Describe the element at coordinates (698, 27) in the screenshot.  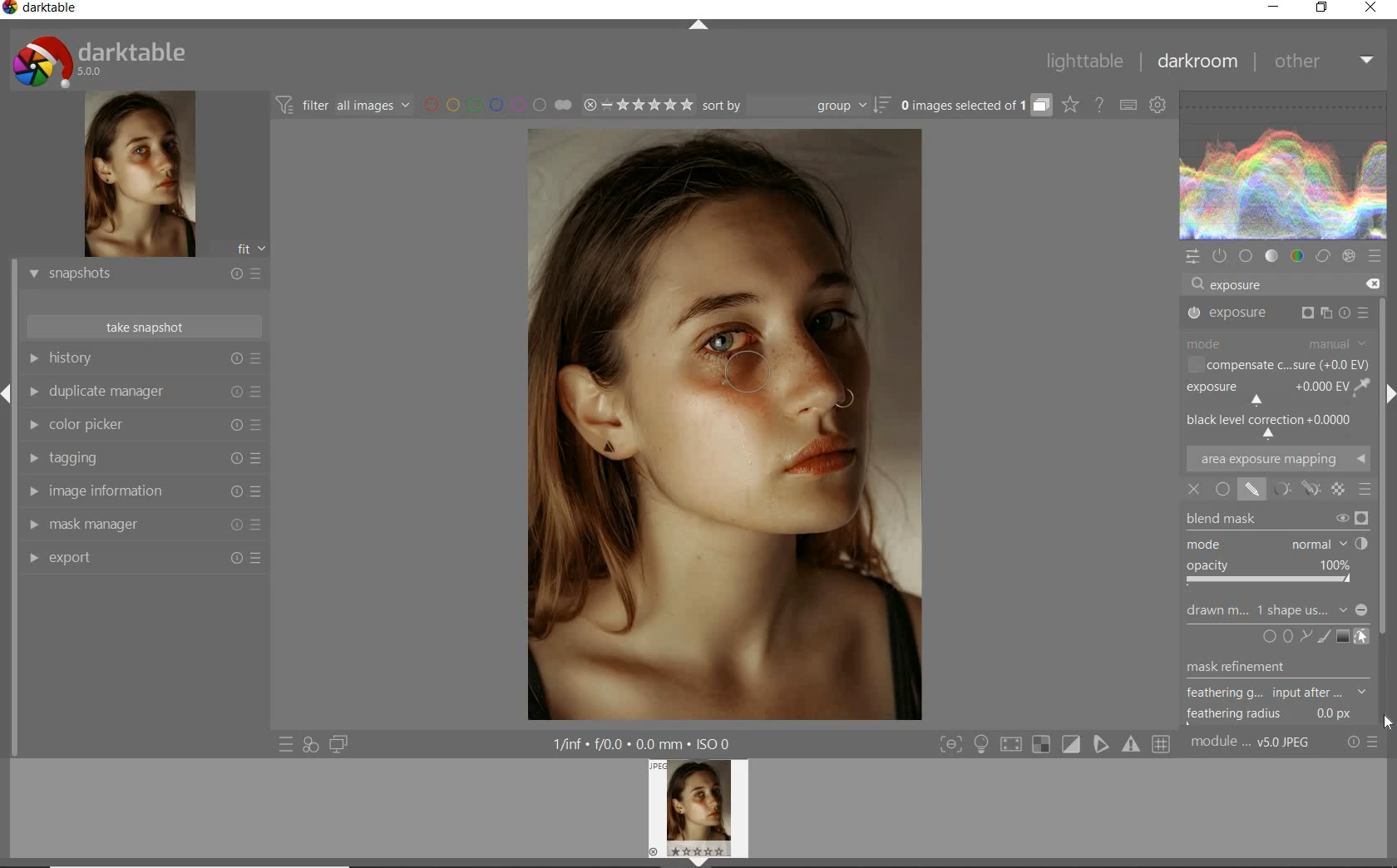
I see `expand/collapse` at that location.